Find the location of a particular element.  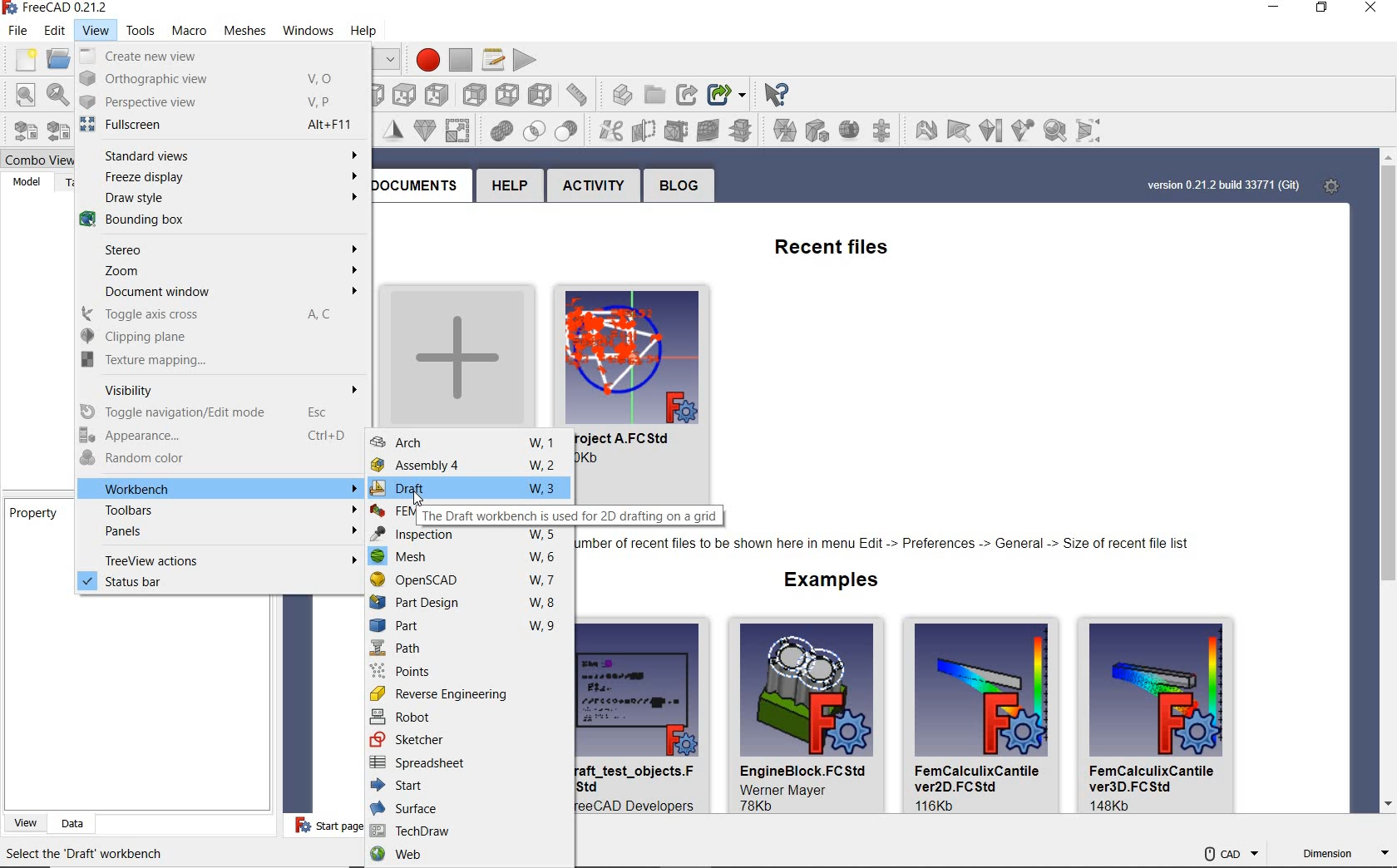

version 0.21.2 build 33771 (Git) is located at coordinates (1222, 185).